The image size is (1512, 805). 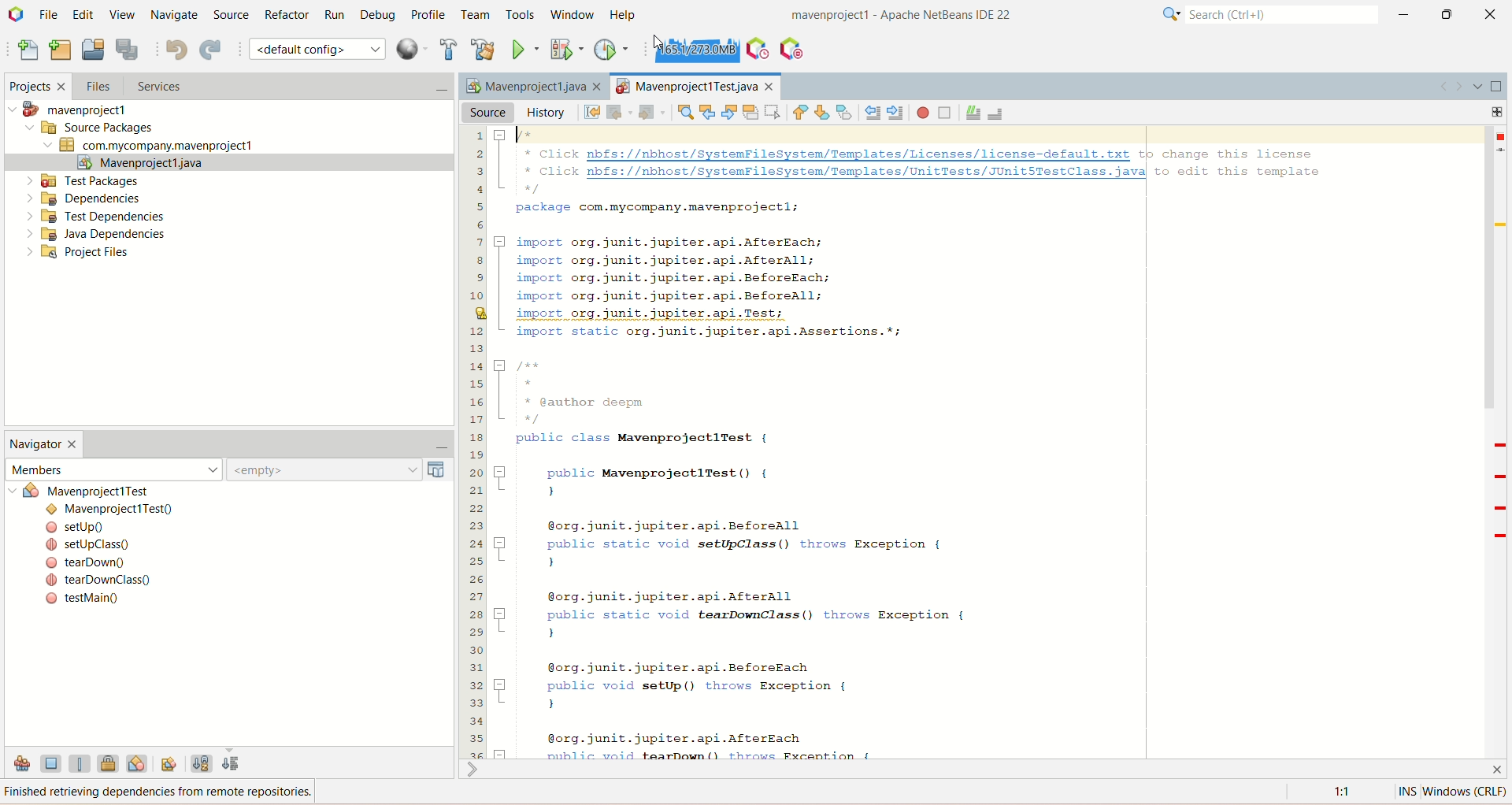 I want to click on new project, so click(x=60, y=48).